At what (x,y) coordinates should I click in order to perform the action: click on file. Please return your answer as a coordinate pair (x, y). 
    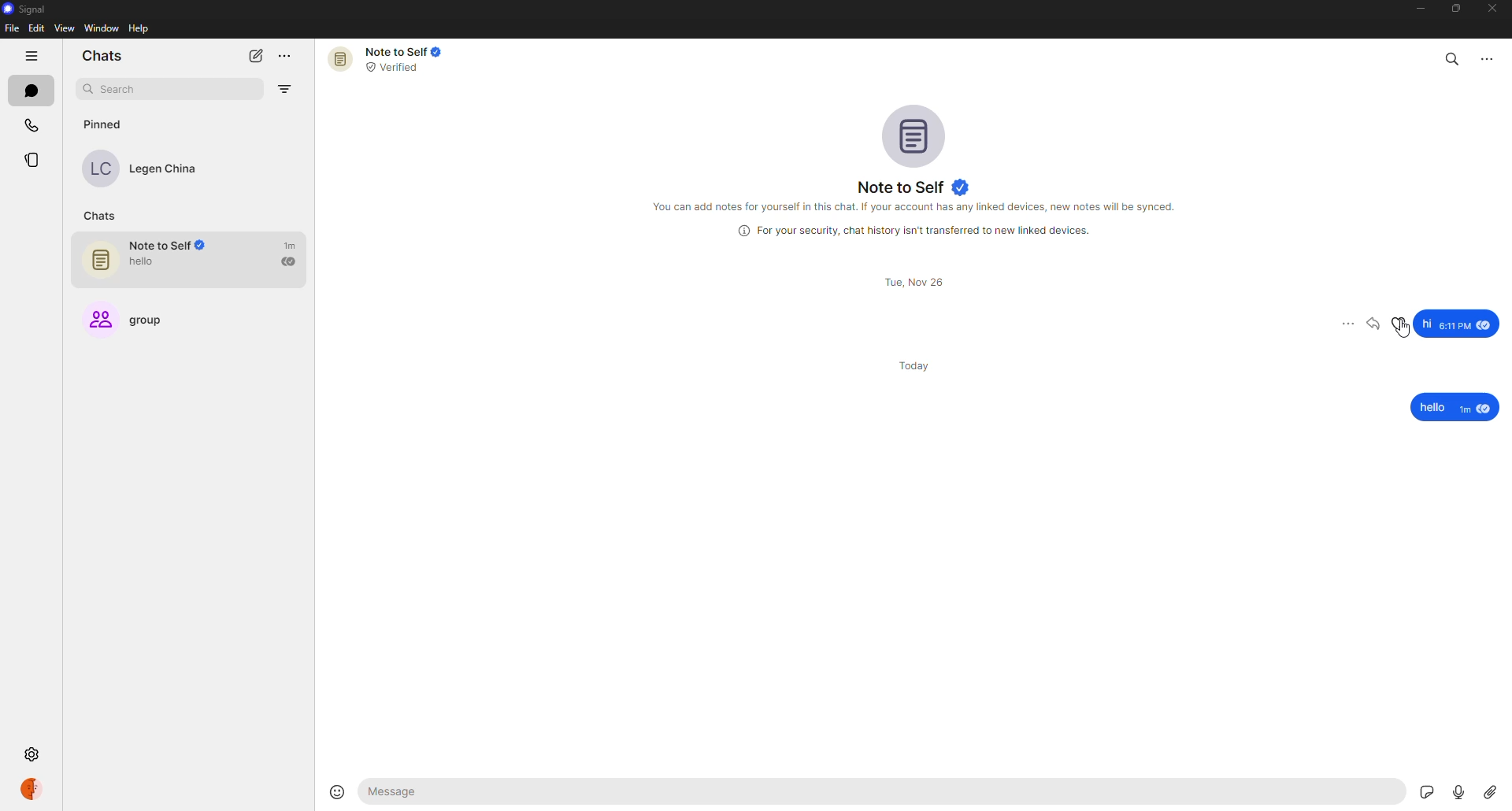
    Looking at the image, I should click on (11, 29).